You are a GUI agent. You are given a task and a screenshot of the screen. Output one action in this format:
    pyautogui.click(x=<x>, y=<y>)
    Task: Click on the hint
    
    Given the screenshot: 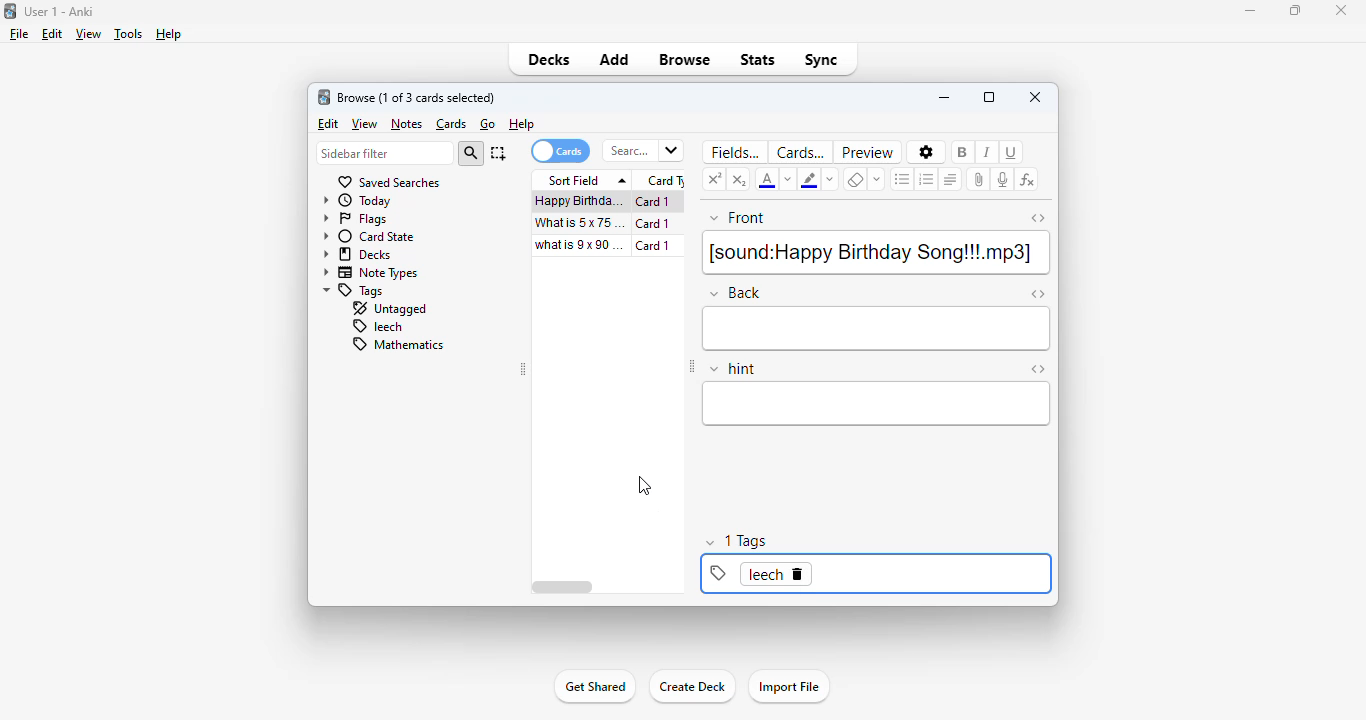 What is the action you would take?
    pyautogui.click(x=877, y=404)
    